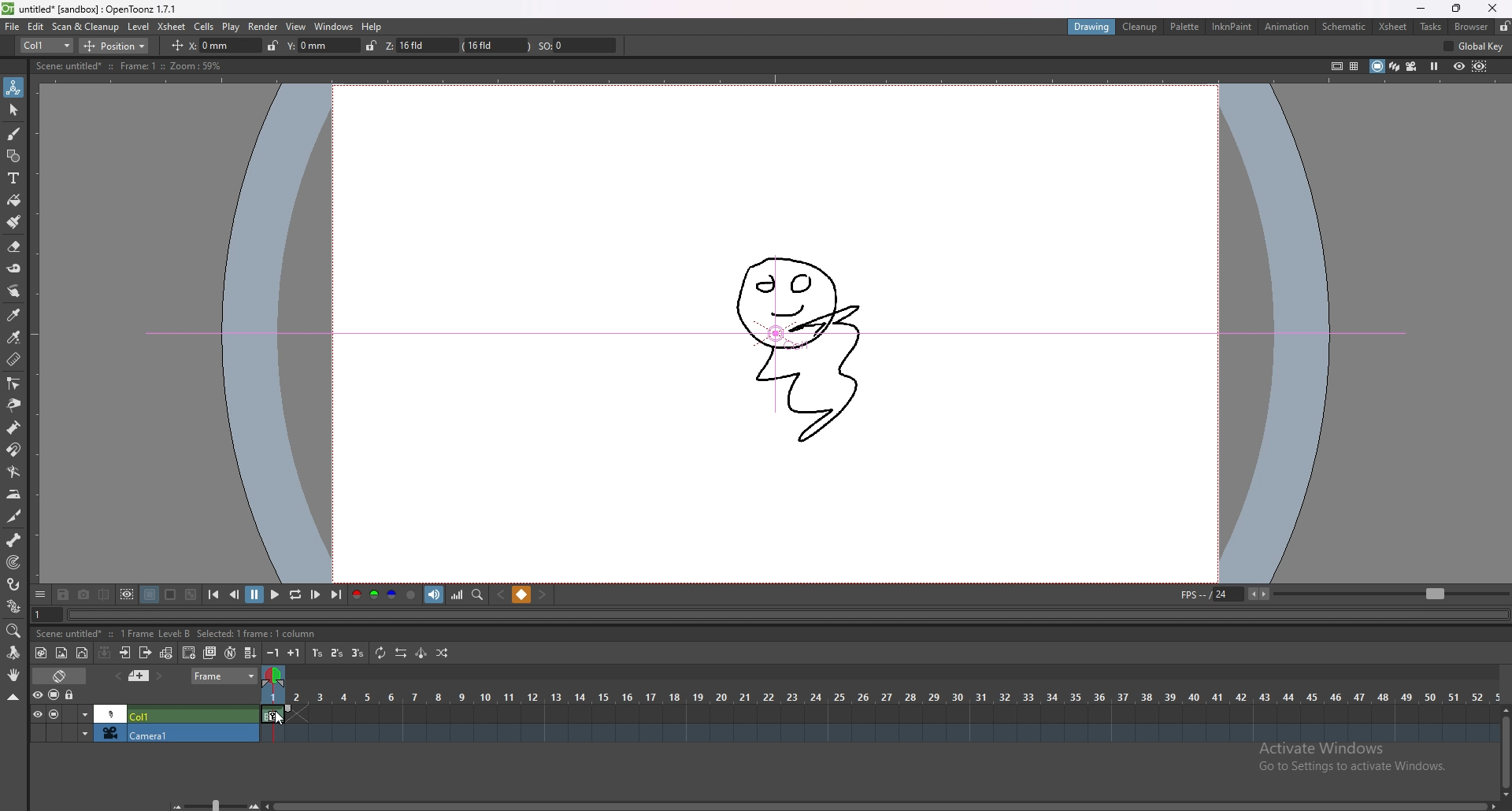 Image resolution: width=1512 pixels, height=811 pixels. Describe the element at coordinates (139, 735) in the screenshot. I see `camera 1` at that location.